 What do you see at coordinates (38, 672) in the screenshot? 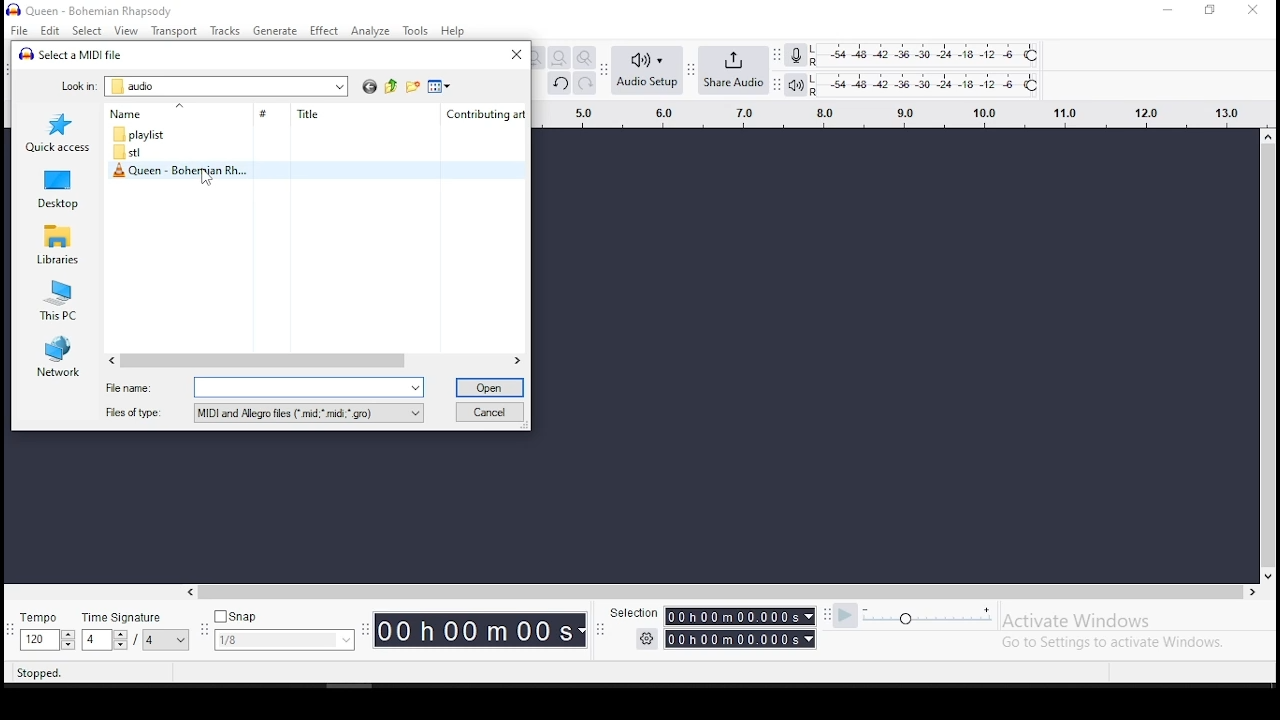
I see `Stopped.` at bounding box center [38, 672].